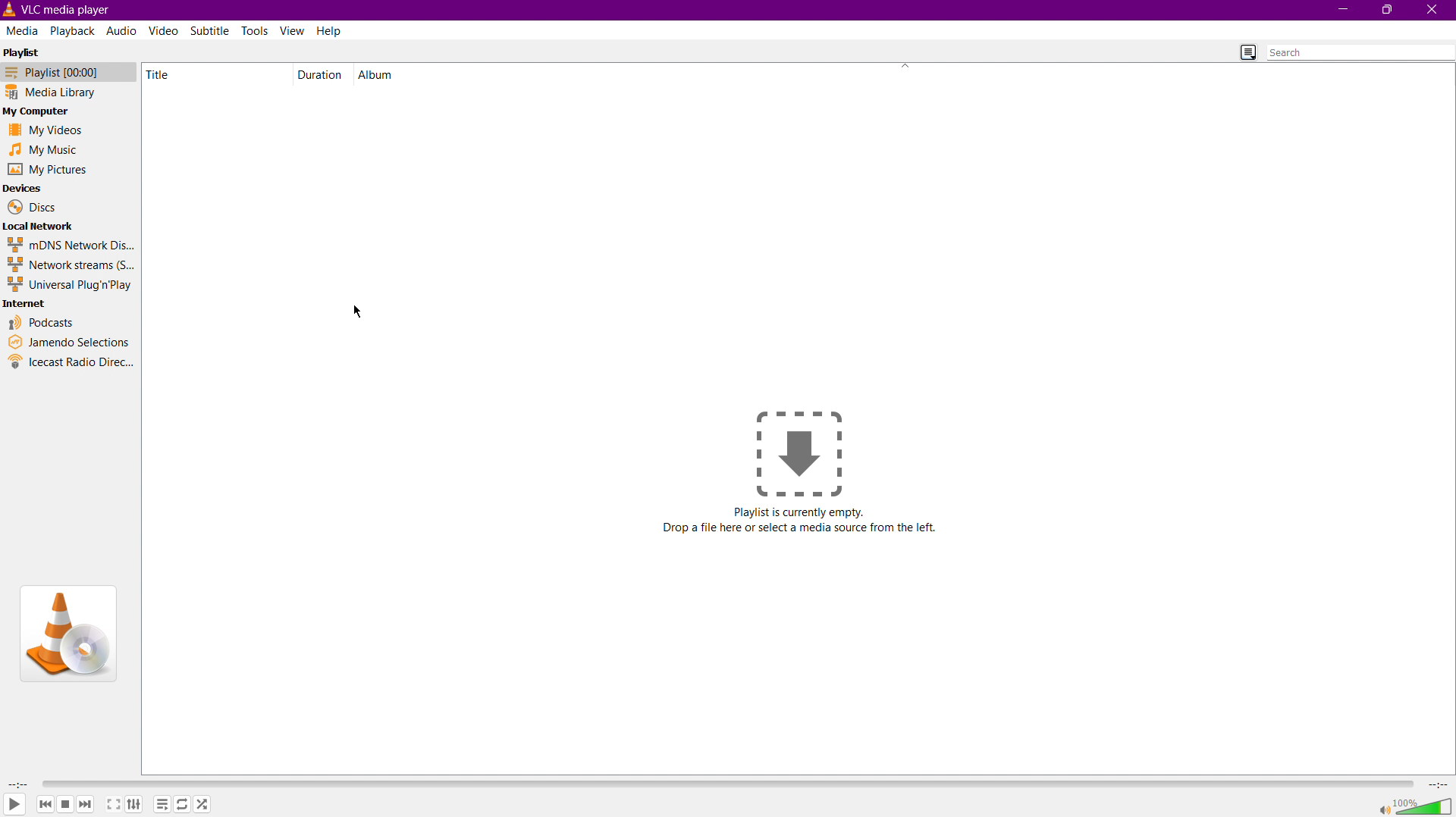  I want to click on Playback, so click(74, 30).